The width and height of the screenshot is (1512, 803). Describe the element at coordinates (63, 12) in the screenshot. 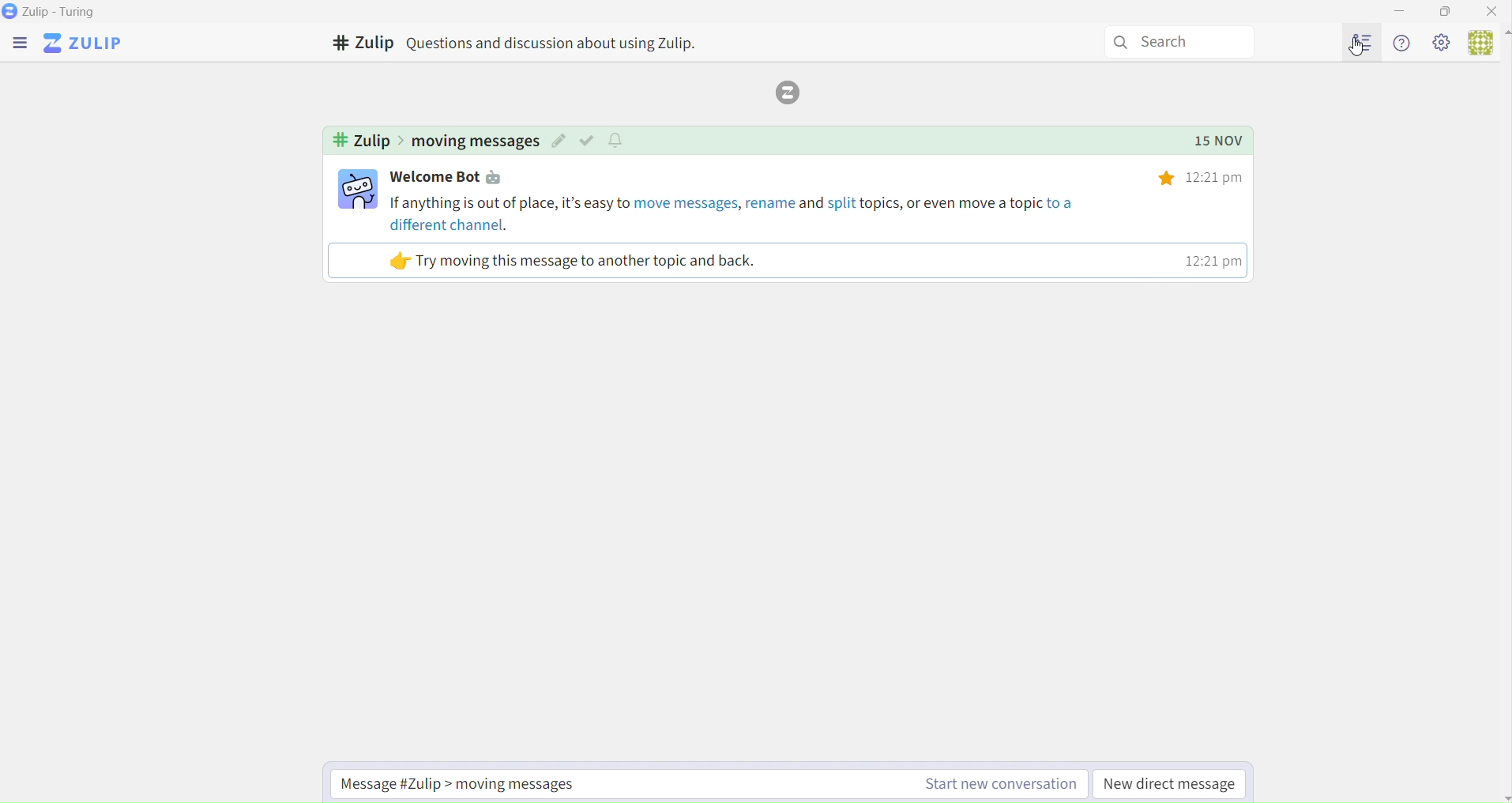

I see `Zulip - Turing` at that location.